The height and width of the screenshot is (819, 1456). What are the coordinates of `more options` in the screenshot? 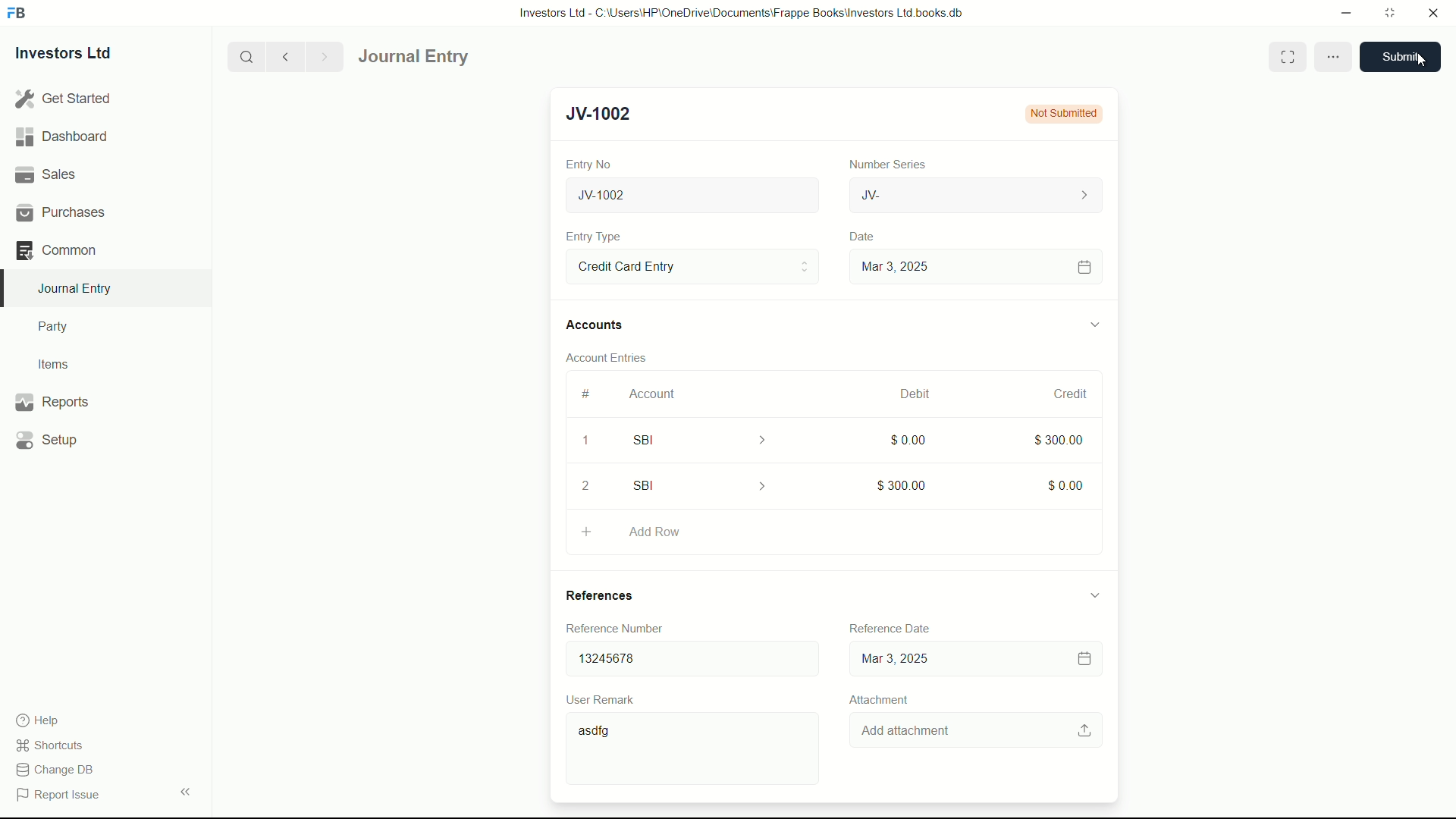 It's located at (1333, 58).